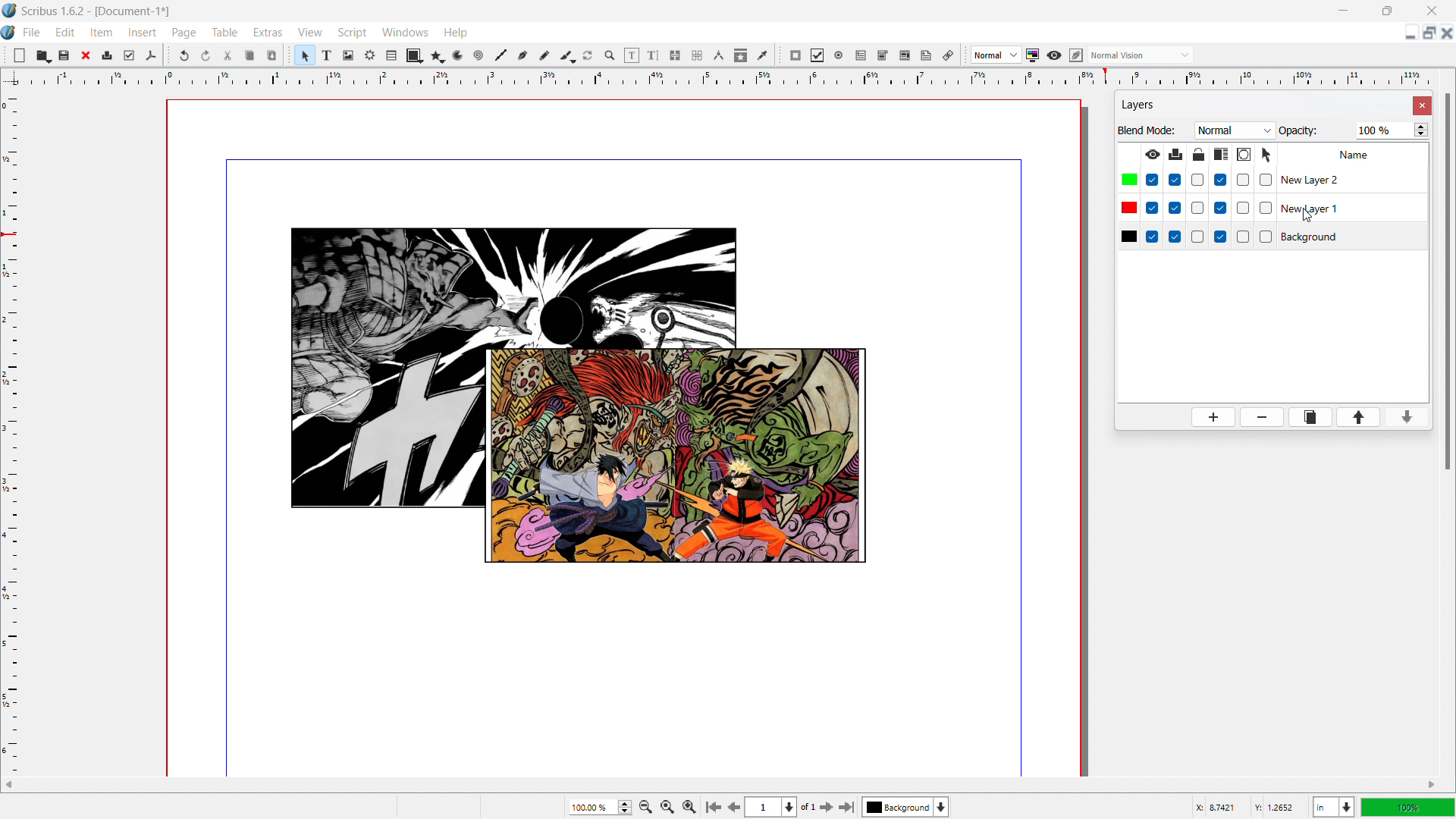  What do you see at coordinates (1432, 11) in the screenshot?
I see `close window` at bounding box center [1432, 11].